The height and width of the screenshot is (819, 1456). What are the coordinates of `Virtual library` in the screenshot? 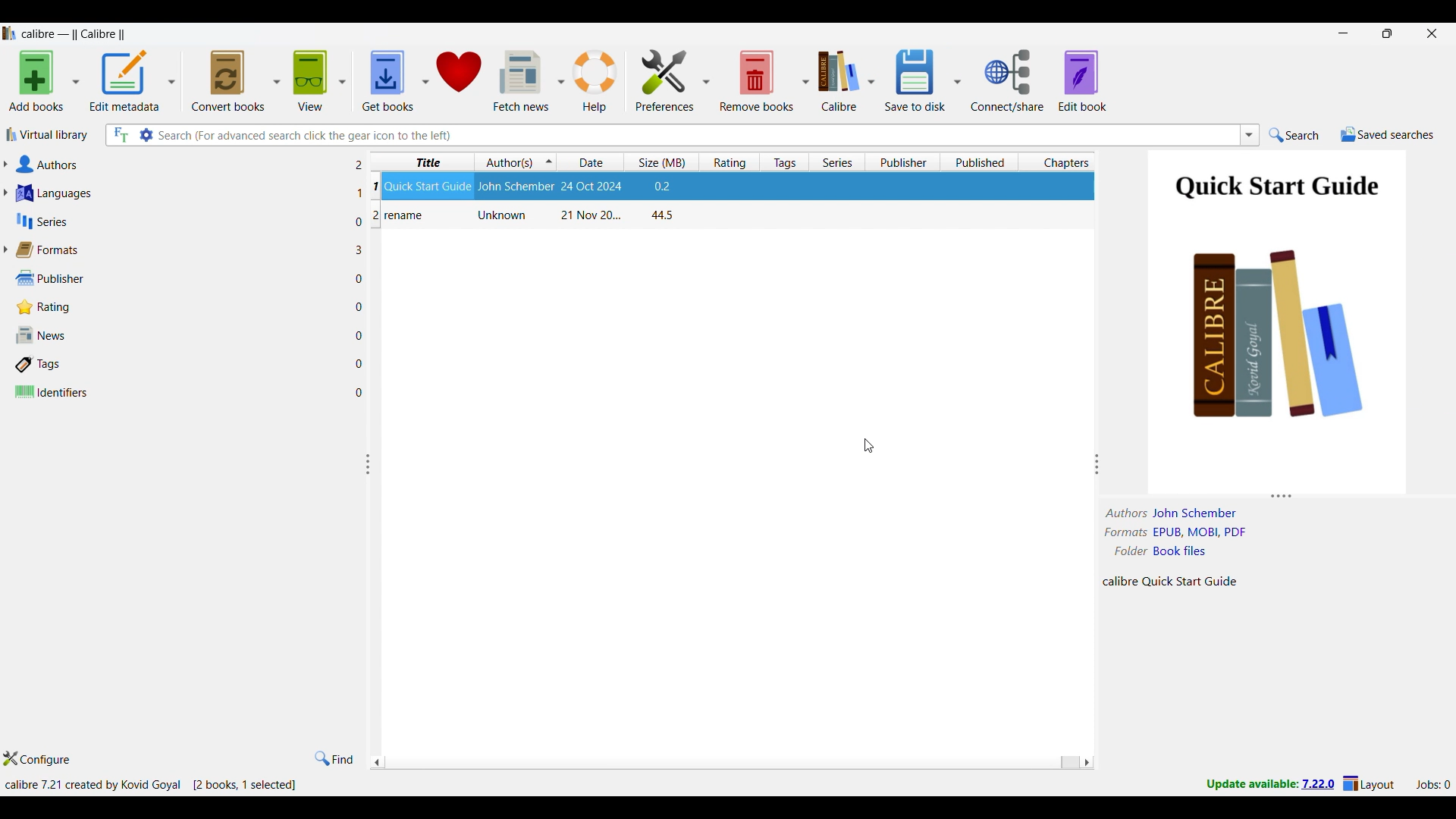 It's located at (48, 134).